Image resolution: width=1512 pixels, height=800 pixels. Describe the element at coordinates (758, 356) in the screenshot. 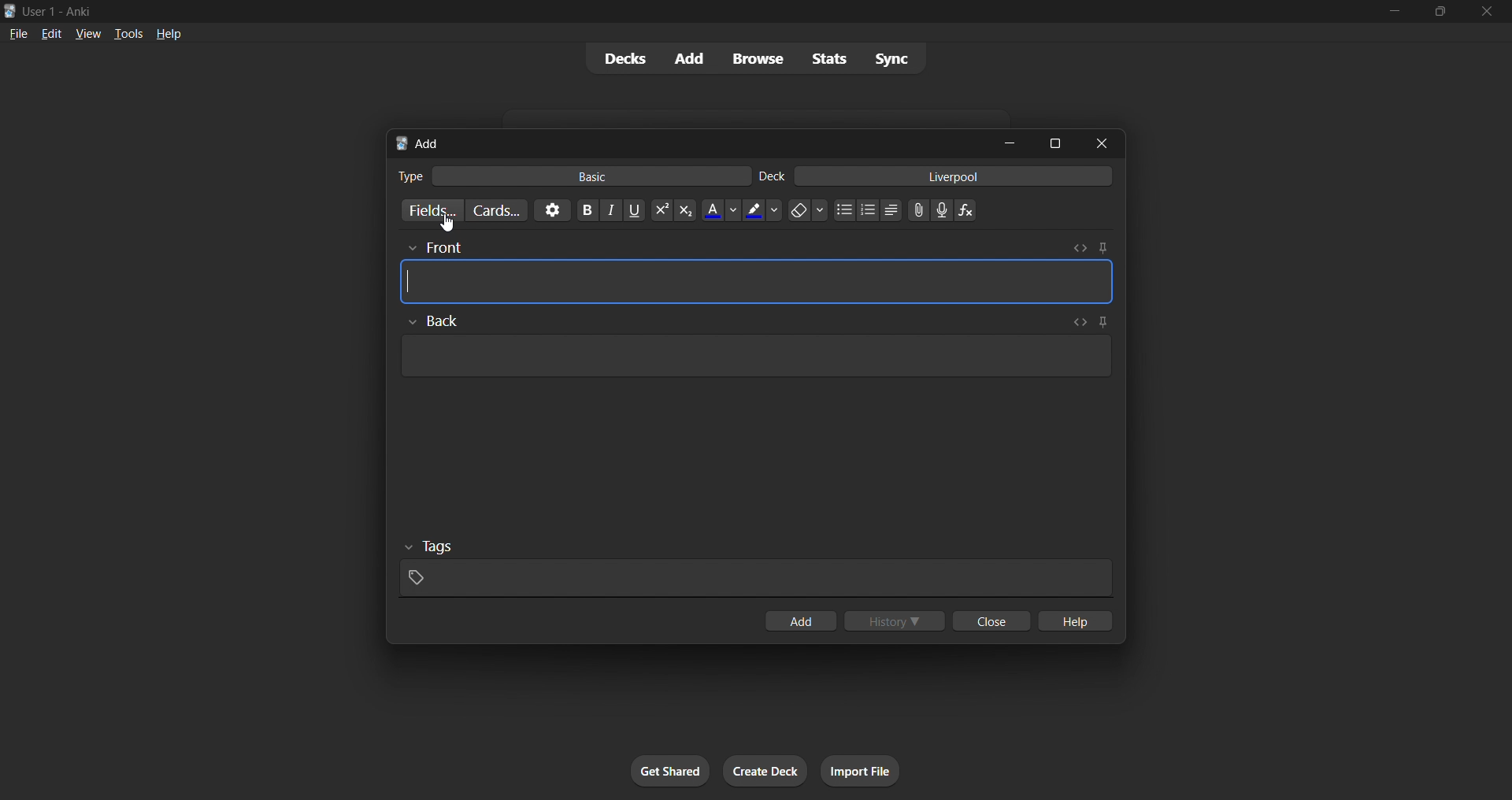

I see `card back input` at that location.